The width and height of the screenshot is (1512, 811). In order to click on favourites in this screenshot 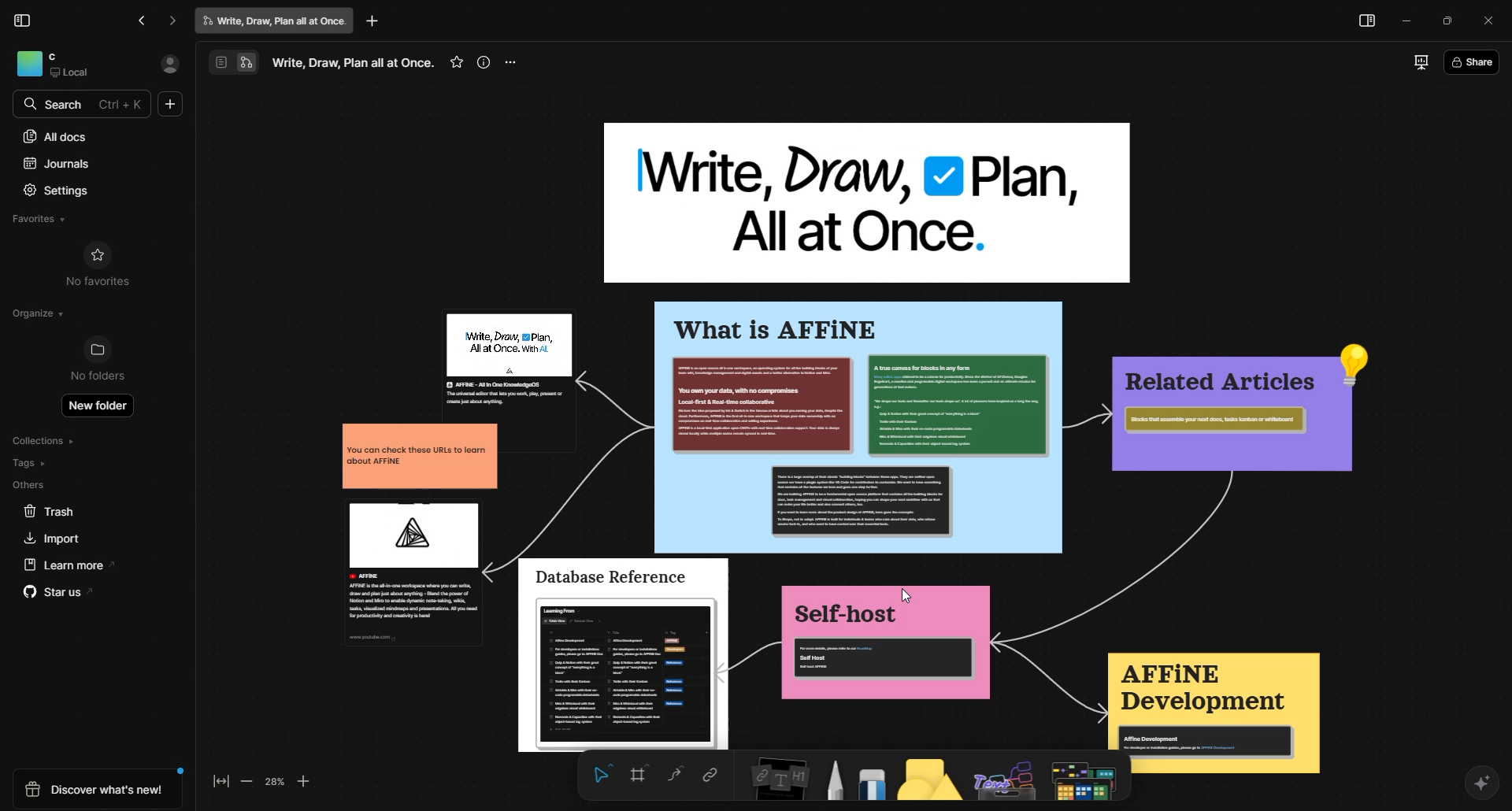, I will do `click(47, 217)`.